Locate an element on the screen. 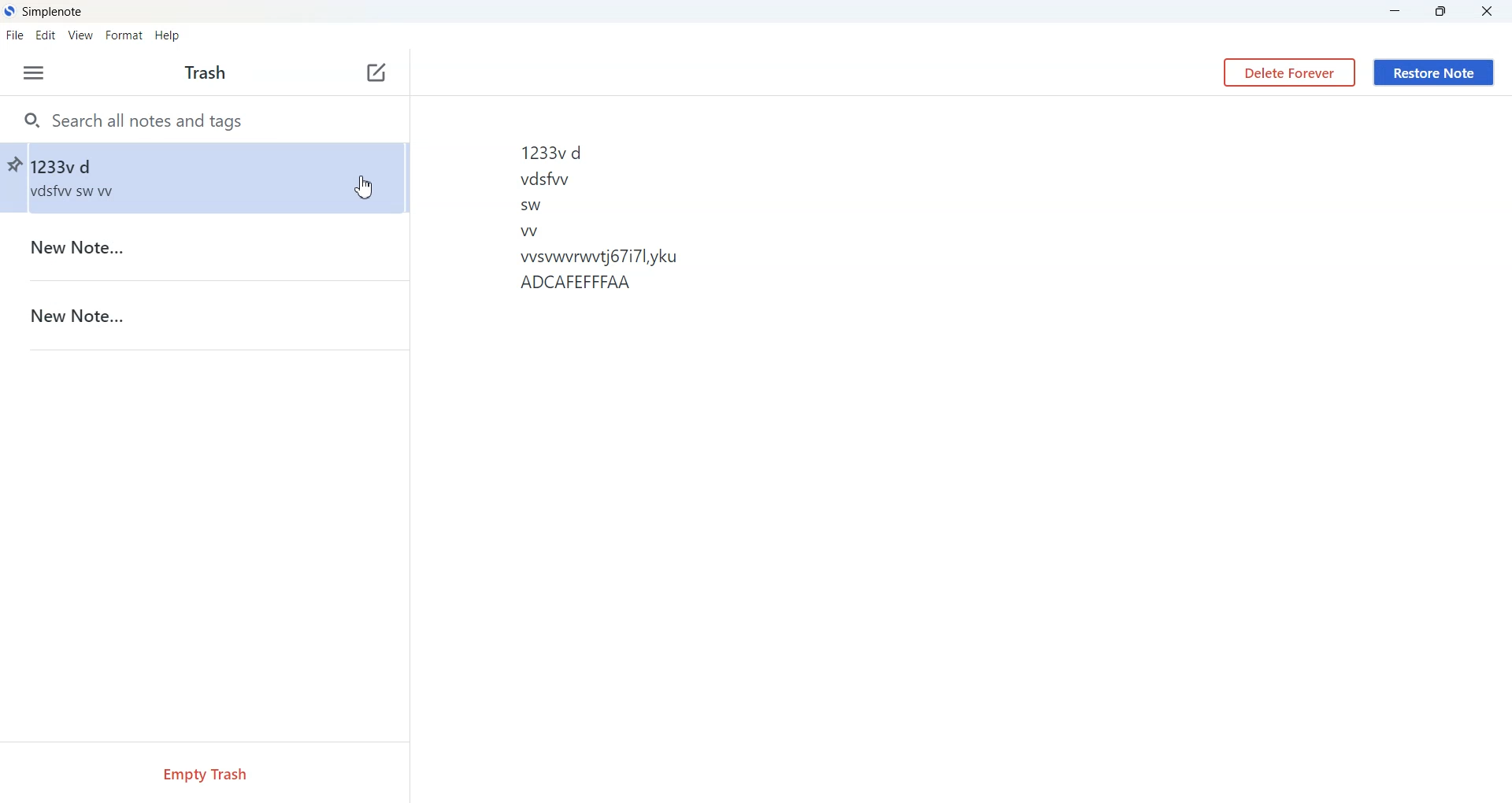 The width and height of the screenshot is (1512, 803). New Note is located at coordinates (204, 247).